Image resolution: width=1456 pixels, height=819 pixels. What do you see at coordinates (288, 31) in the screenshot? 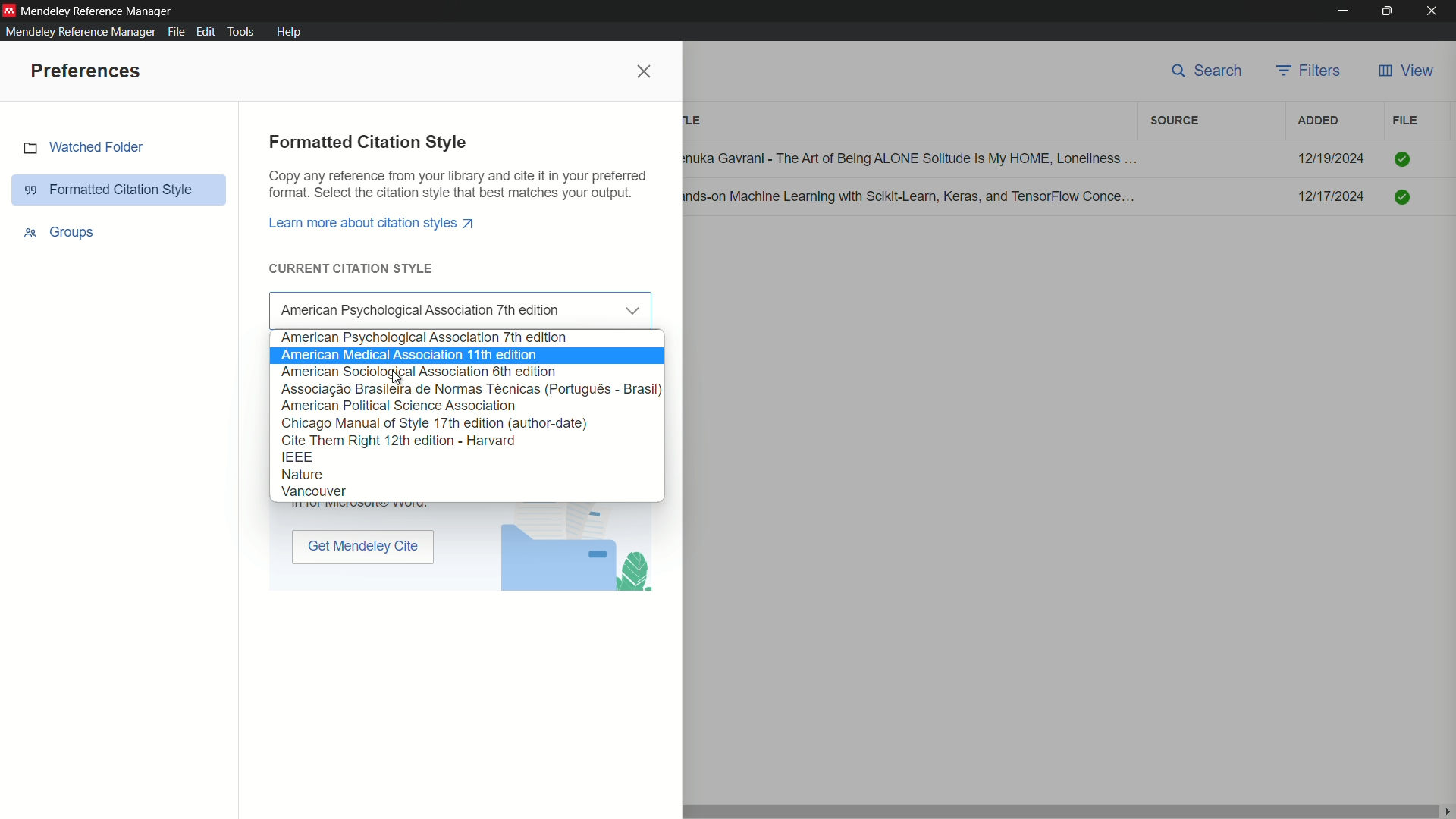
I see `help menu` at bounding box center [288, 31].